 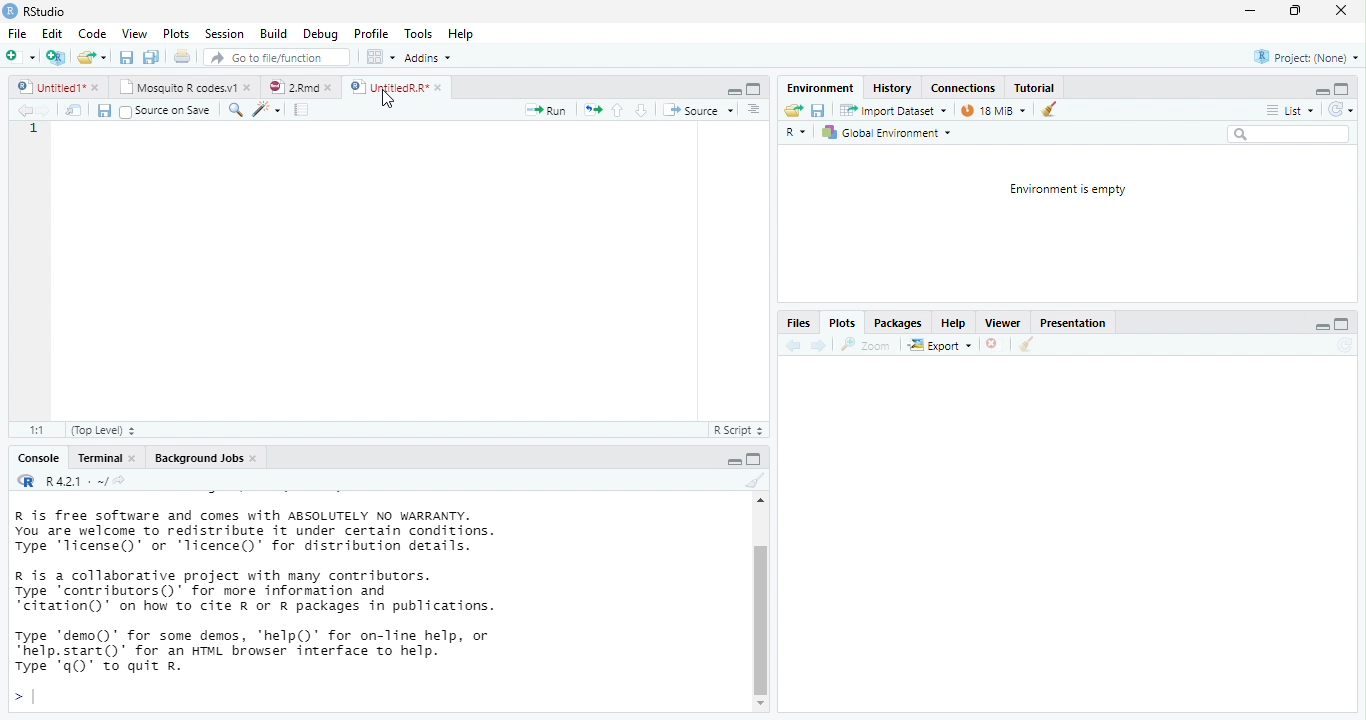 I want to click on code tool, so click(x=268, y=109).